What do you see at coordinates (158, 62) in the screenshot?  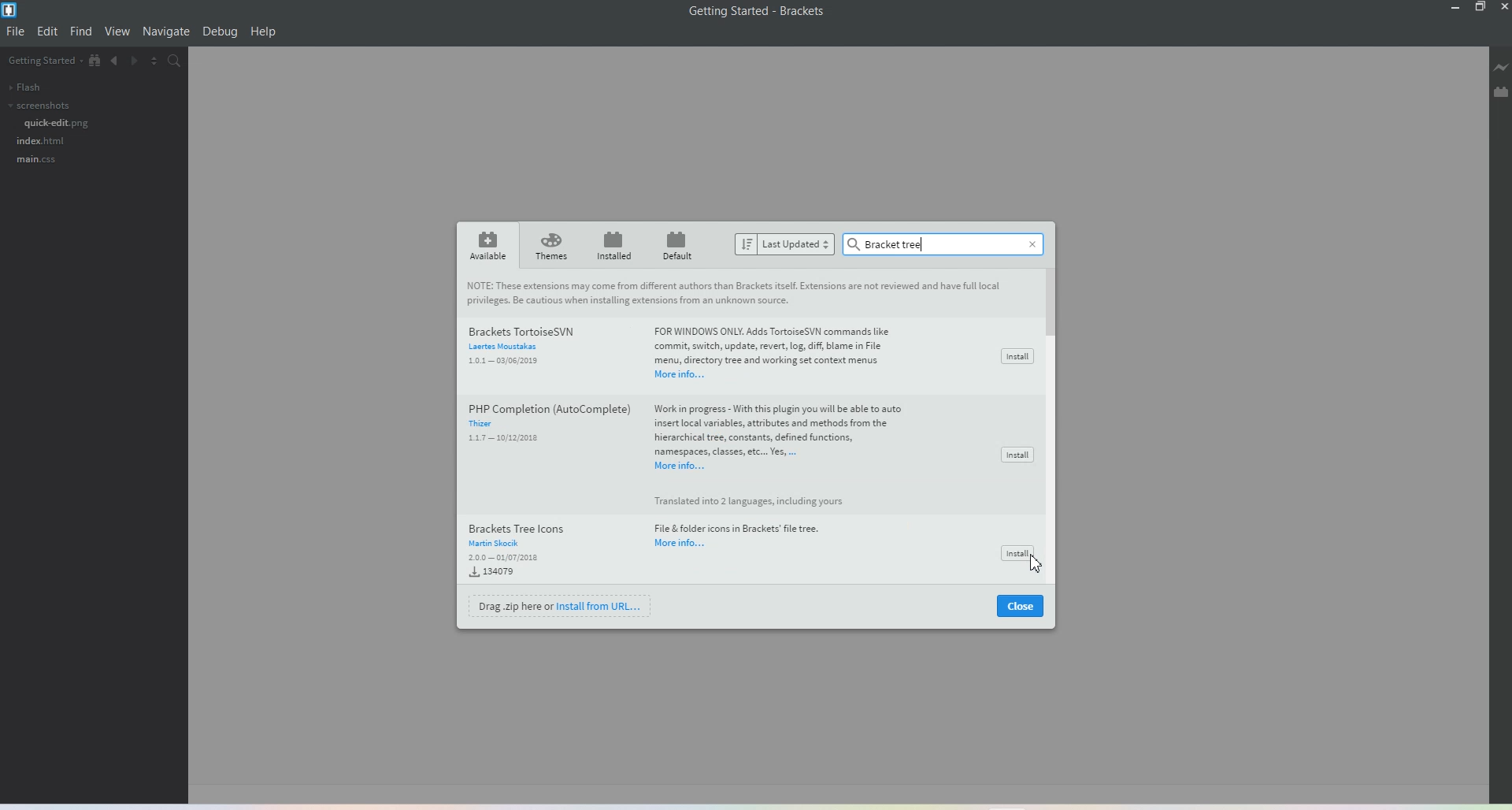 I see `Split the editor vertically or Horizontally` at bounding box center [158, 62].